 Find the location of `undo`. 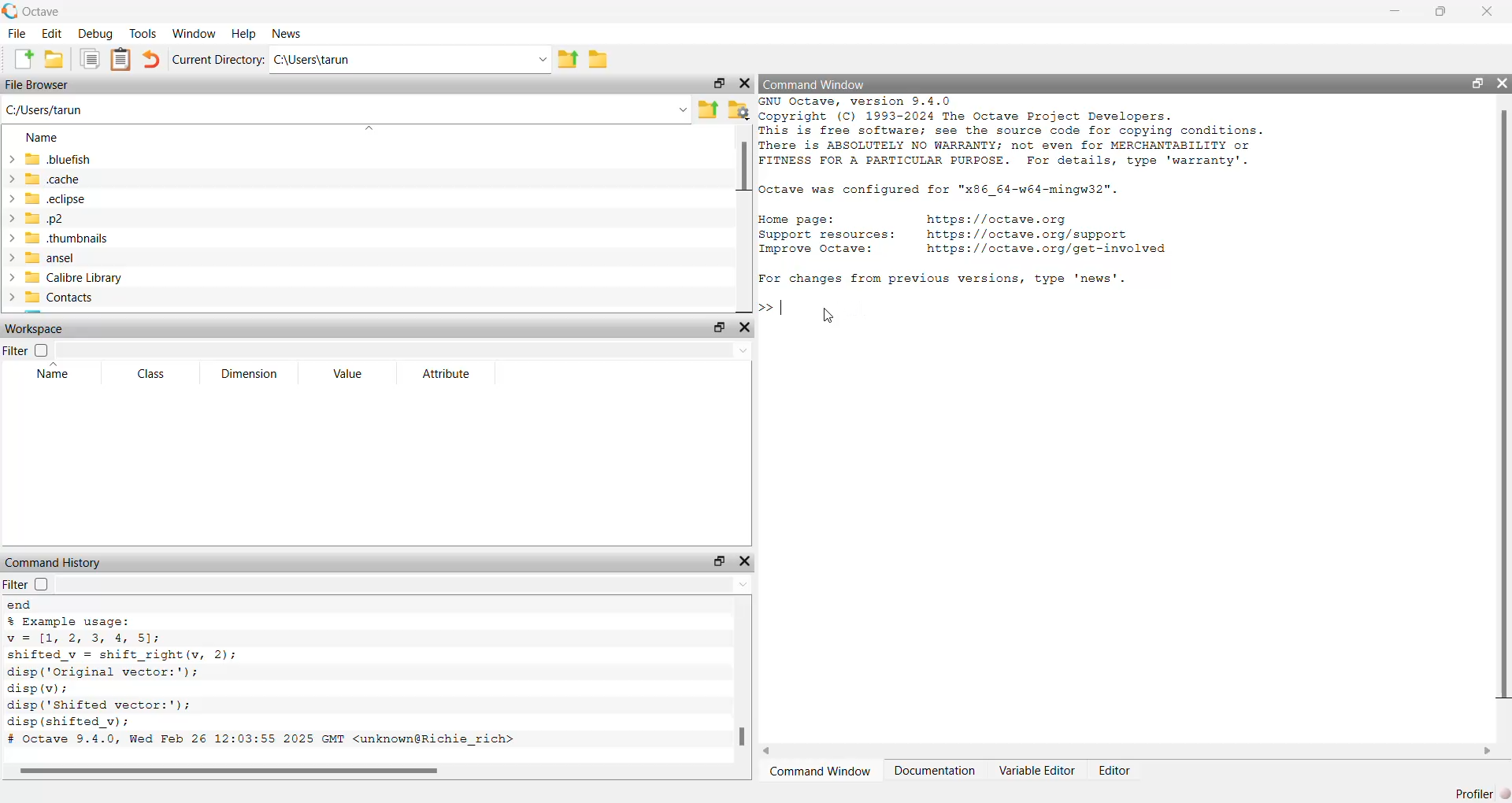

undo is located at coordinates (151, 60).